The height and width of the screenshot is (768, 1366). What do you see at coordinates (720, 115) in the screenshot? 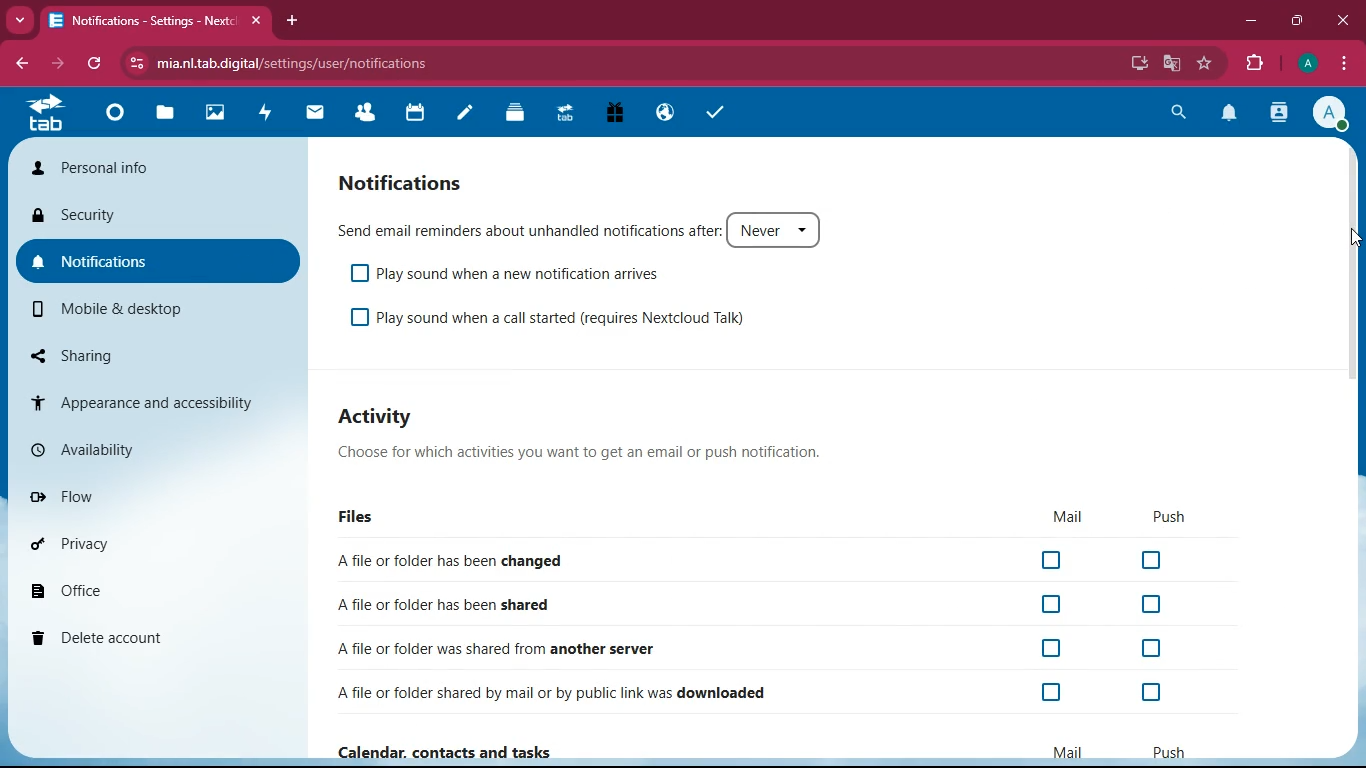
I see `task` at bounding box center [720, 115].